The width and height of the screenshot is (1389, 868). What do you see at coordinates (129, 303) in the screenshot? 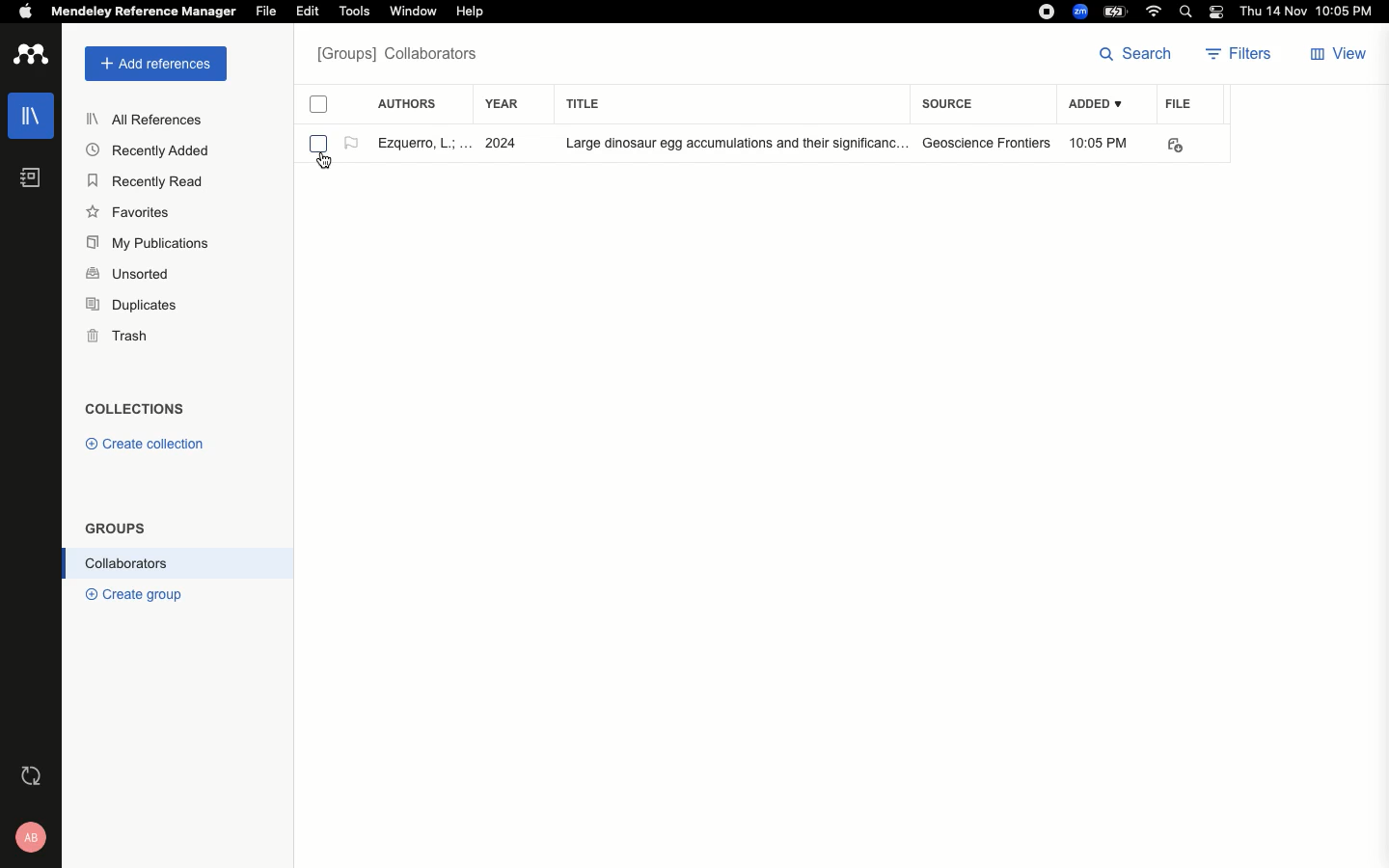
I see `Duplicates` at bounding box center [129, 303].